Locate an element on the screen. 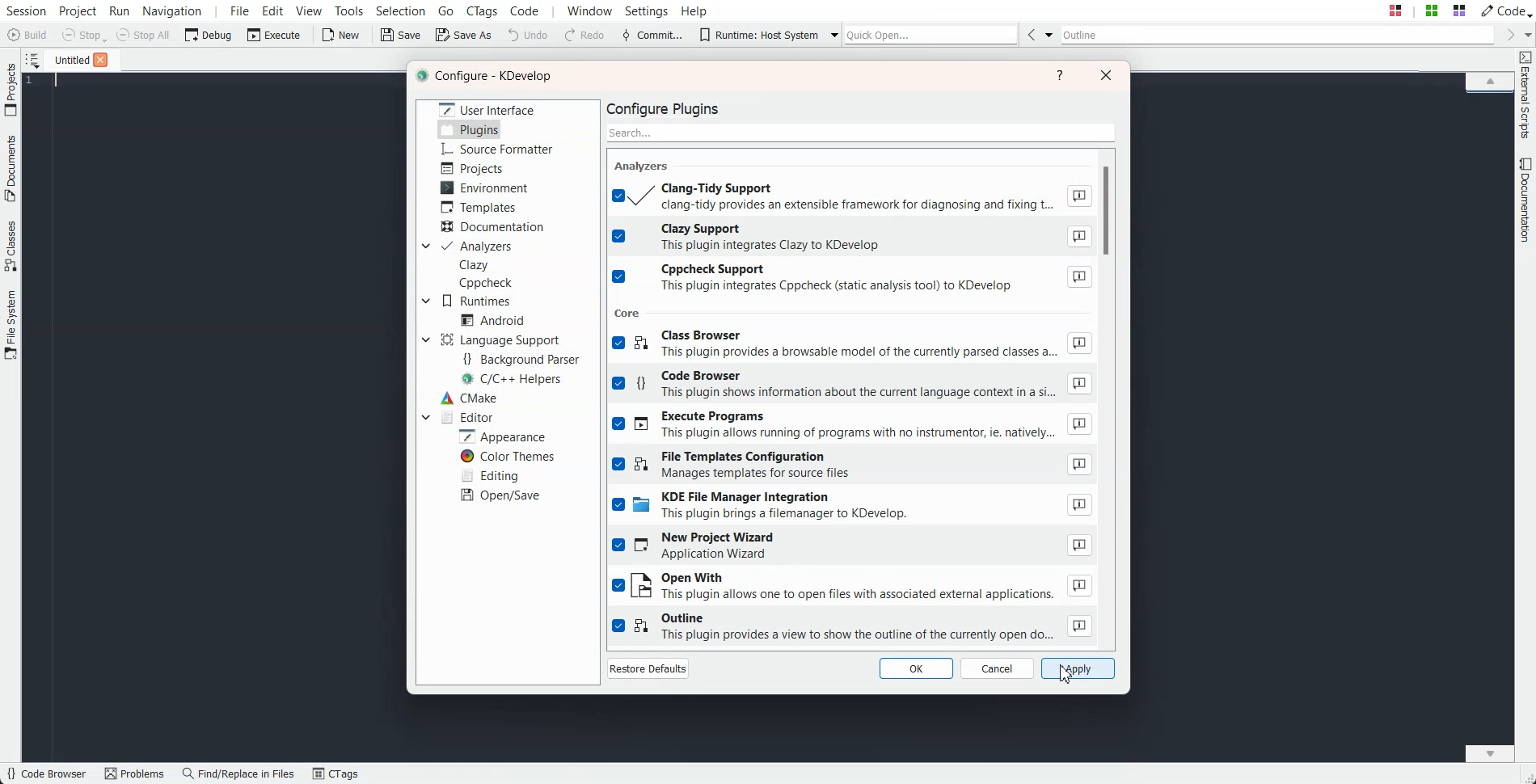 The image size is (1536, 784). Drop down box is located at coordinates (426, 301).